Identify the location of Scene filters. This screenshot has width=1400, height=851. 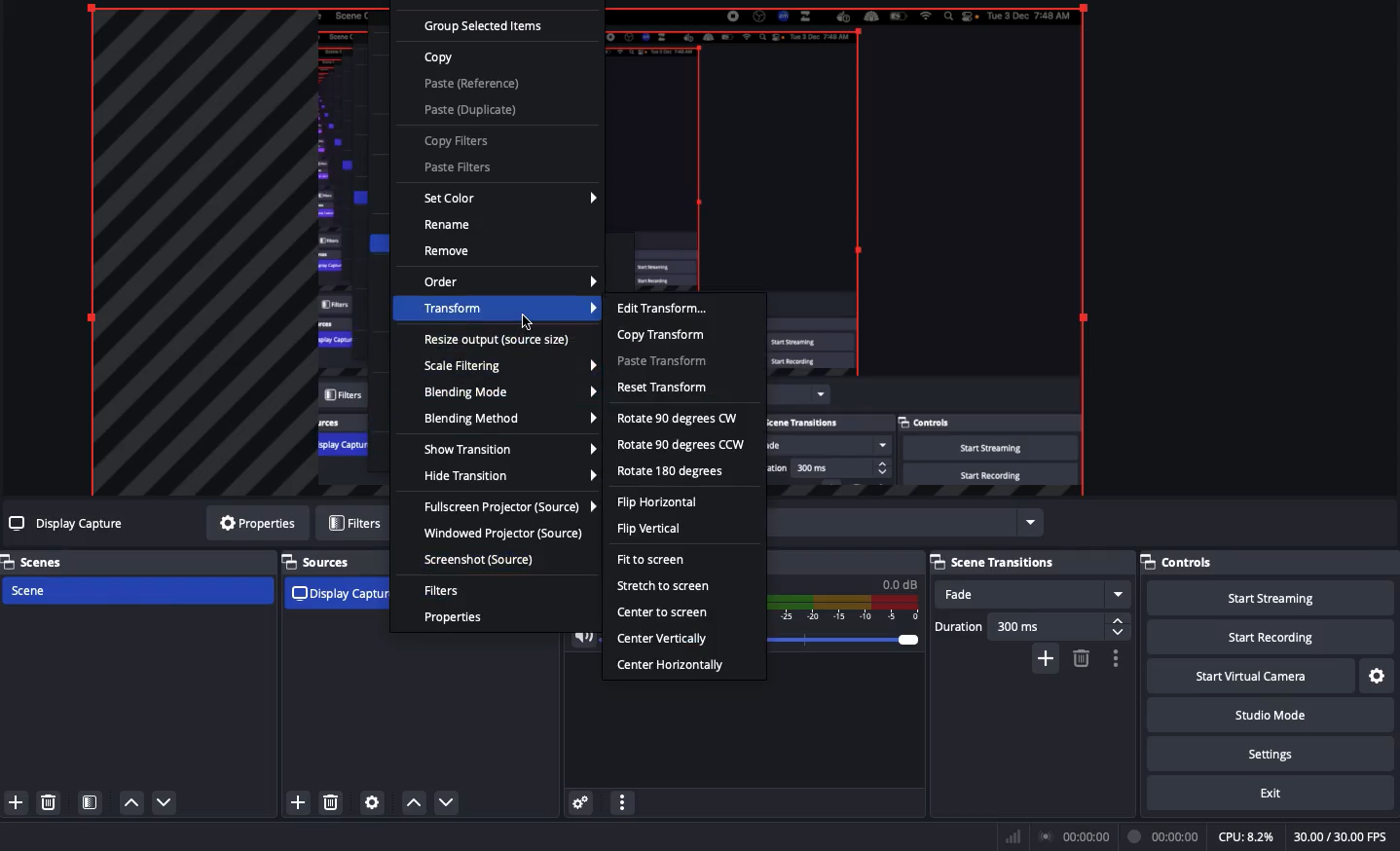
(90, 801).